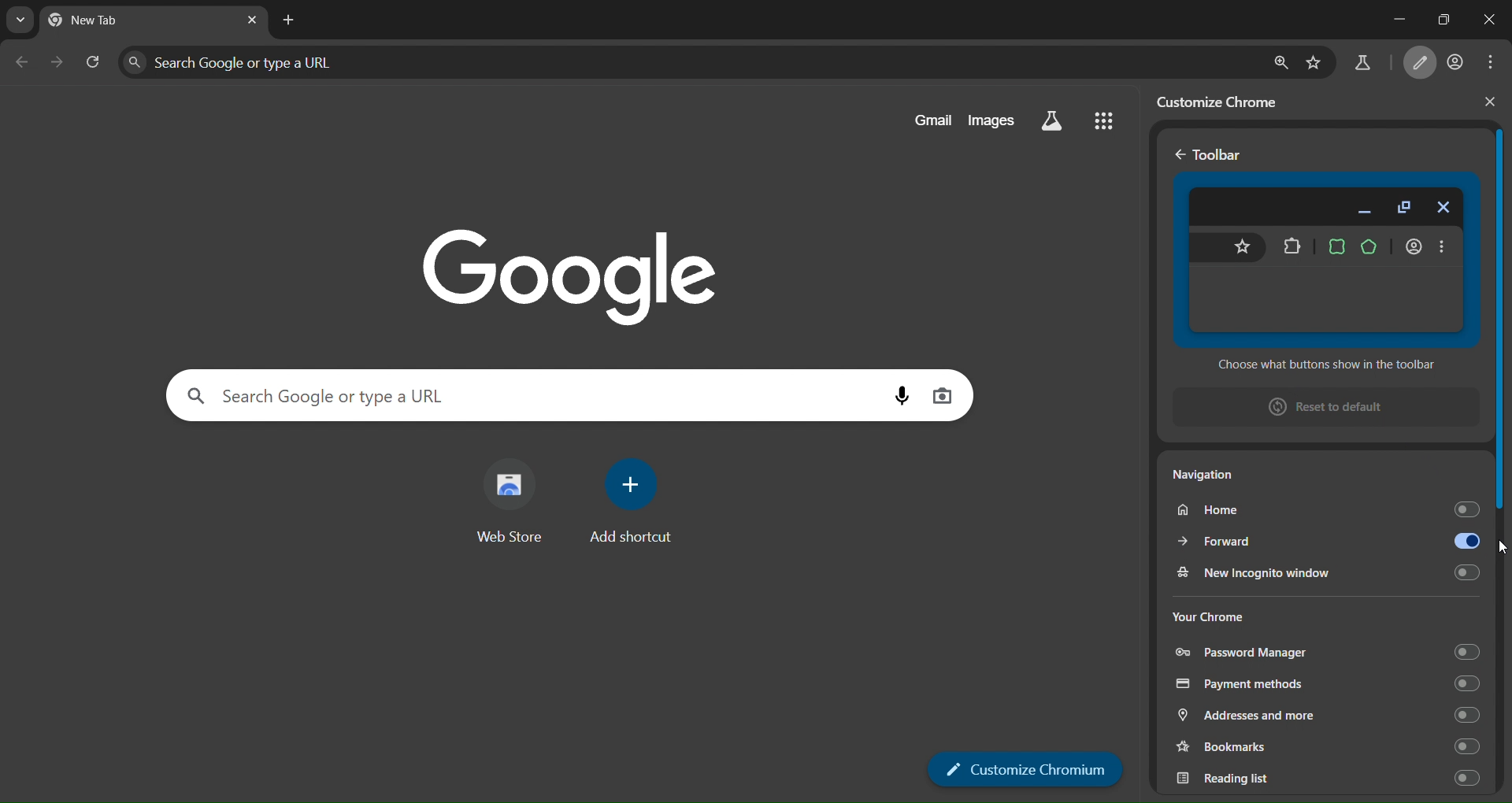 The width and height of the screenshot is (1512, 803). Describe the element at coordinates (570, 275) in the screenshot. I see `Google logo` at that location.